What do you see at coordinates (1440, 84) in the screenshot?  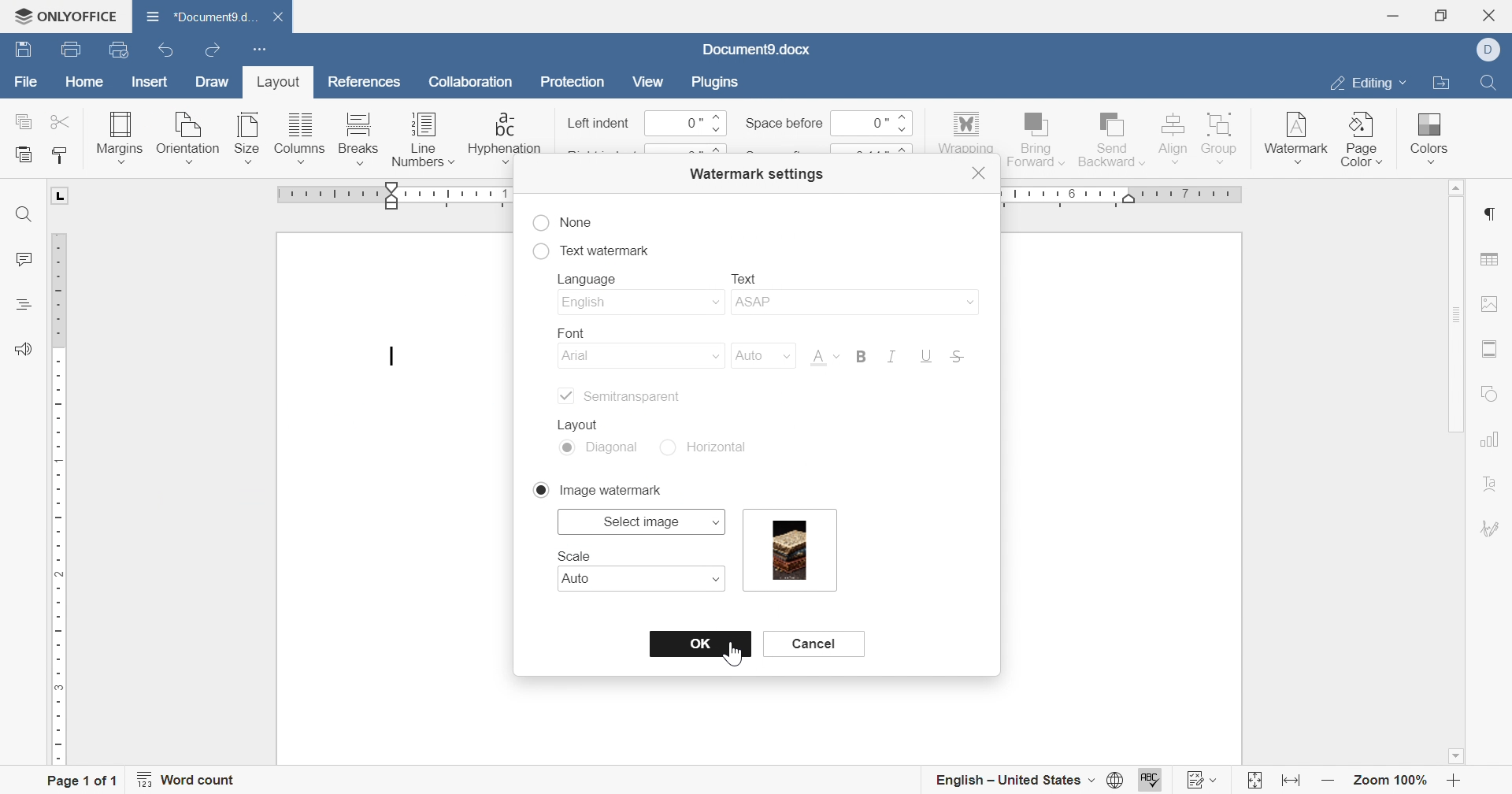 I see `open file location` at bounding box center [1440, 84].